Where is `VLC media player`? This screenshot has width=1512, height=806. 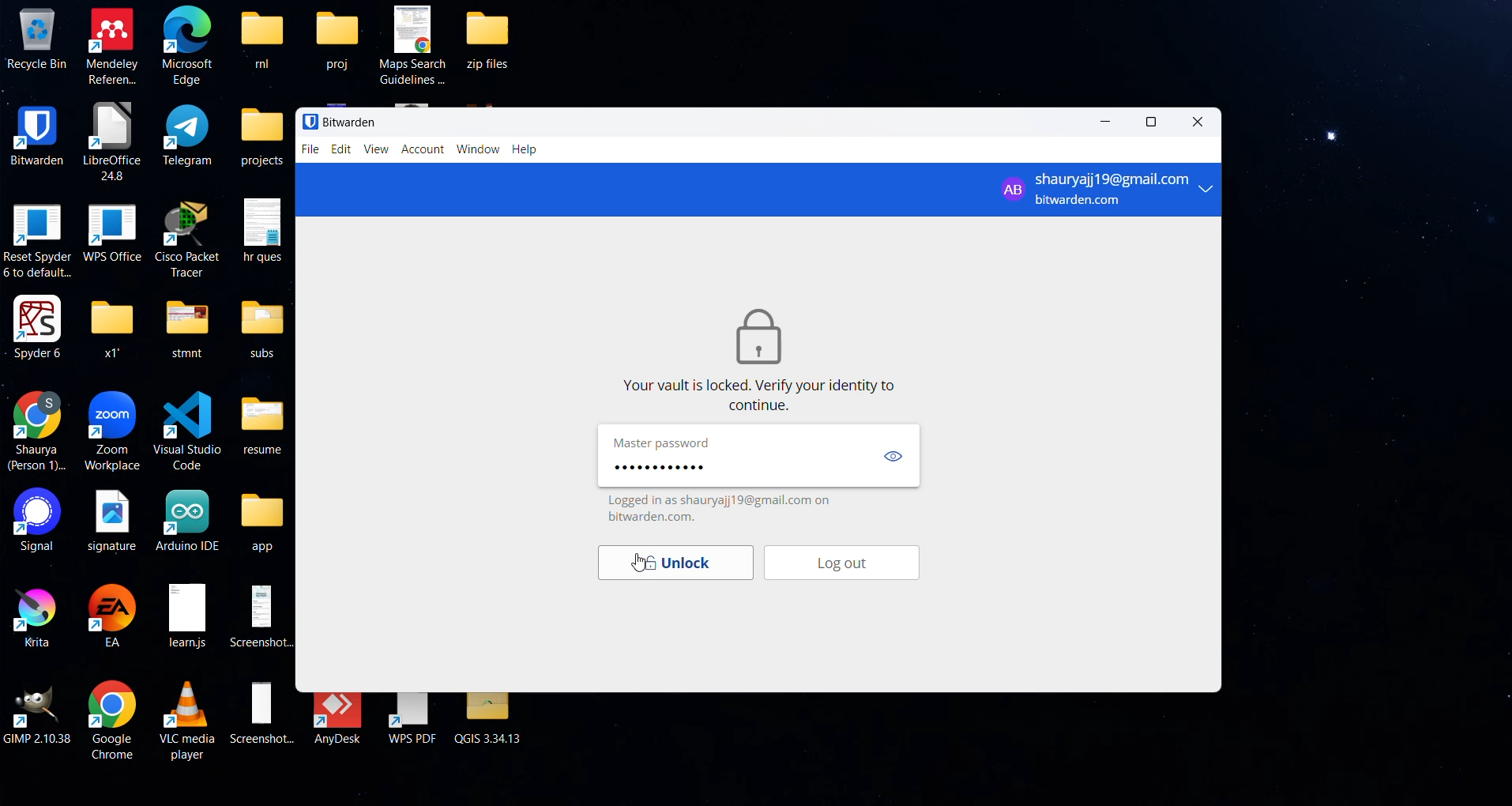 VLC media player is located at coordinates (190, 718).